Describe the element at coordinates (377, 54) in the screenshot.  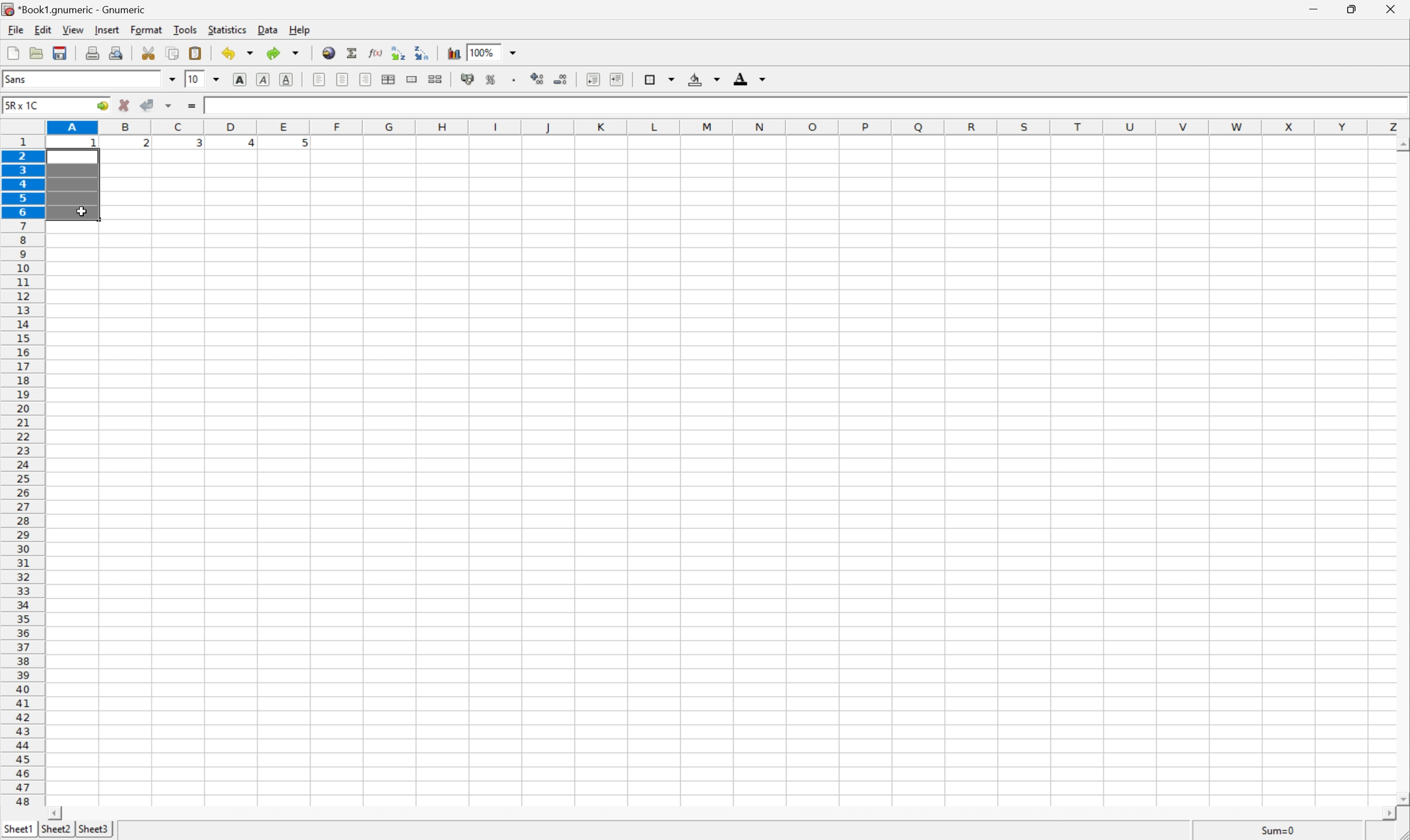
I see `edit function in current cell` at that location.